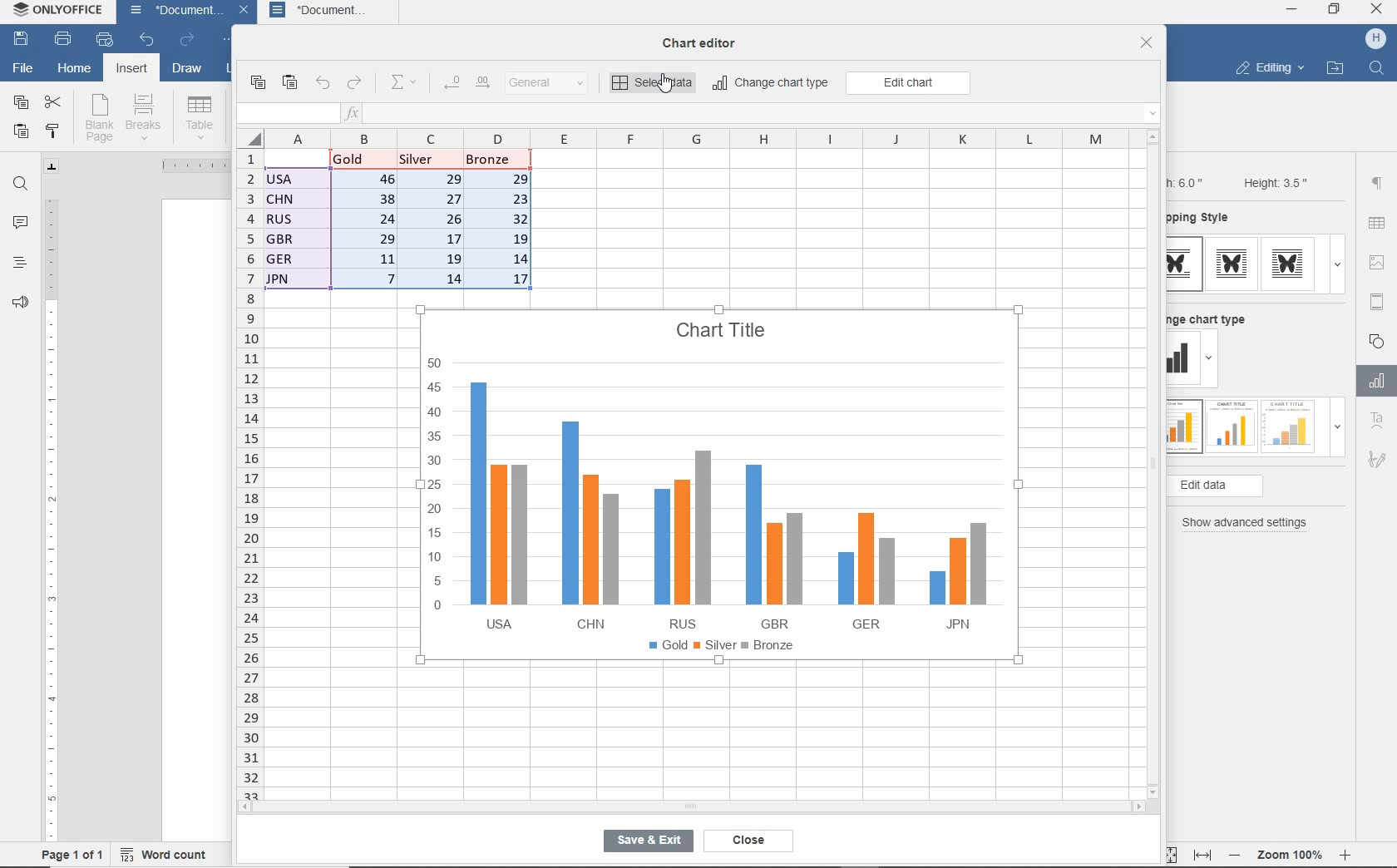 Image resolution: width=1397 pixels, height=868 pixels. I want to click on change type, so click(1186, 359).